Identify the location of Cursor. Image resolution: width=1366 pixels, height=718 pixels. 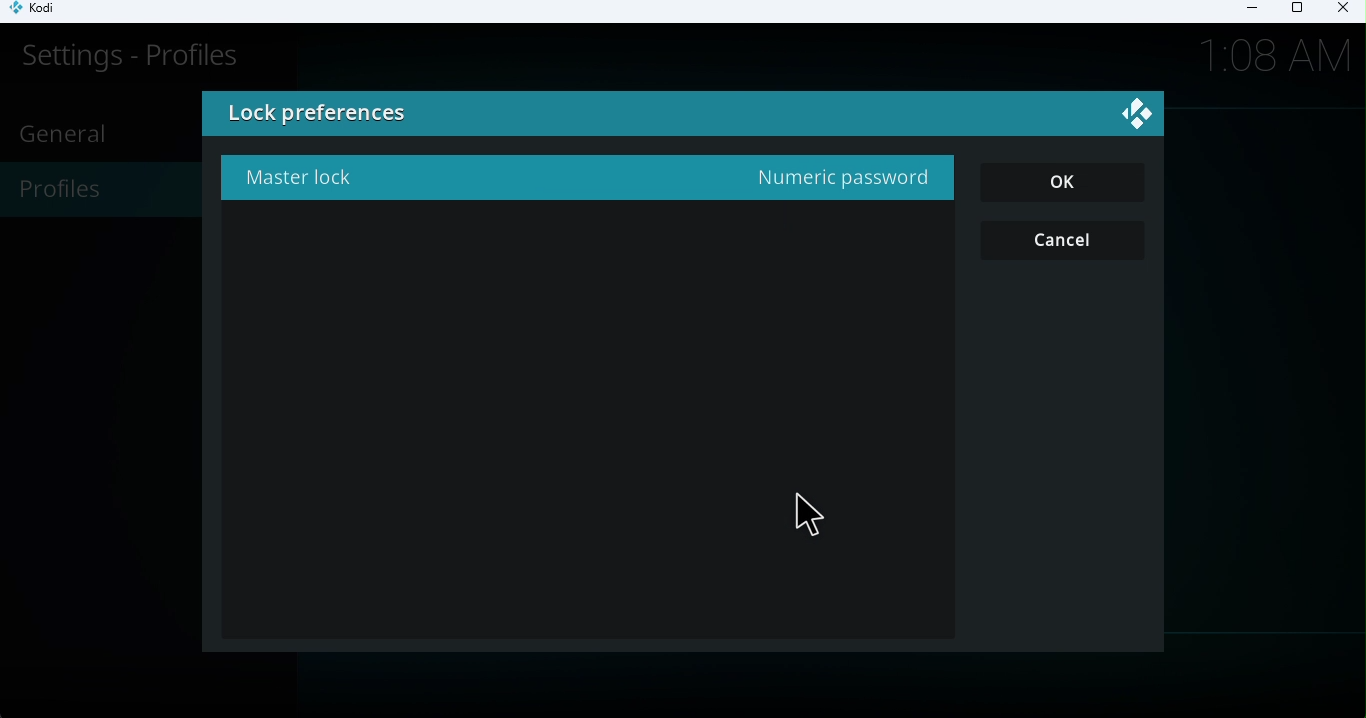
(811, 511).